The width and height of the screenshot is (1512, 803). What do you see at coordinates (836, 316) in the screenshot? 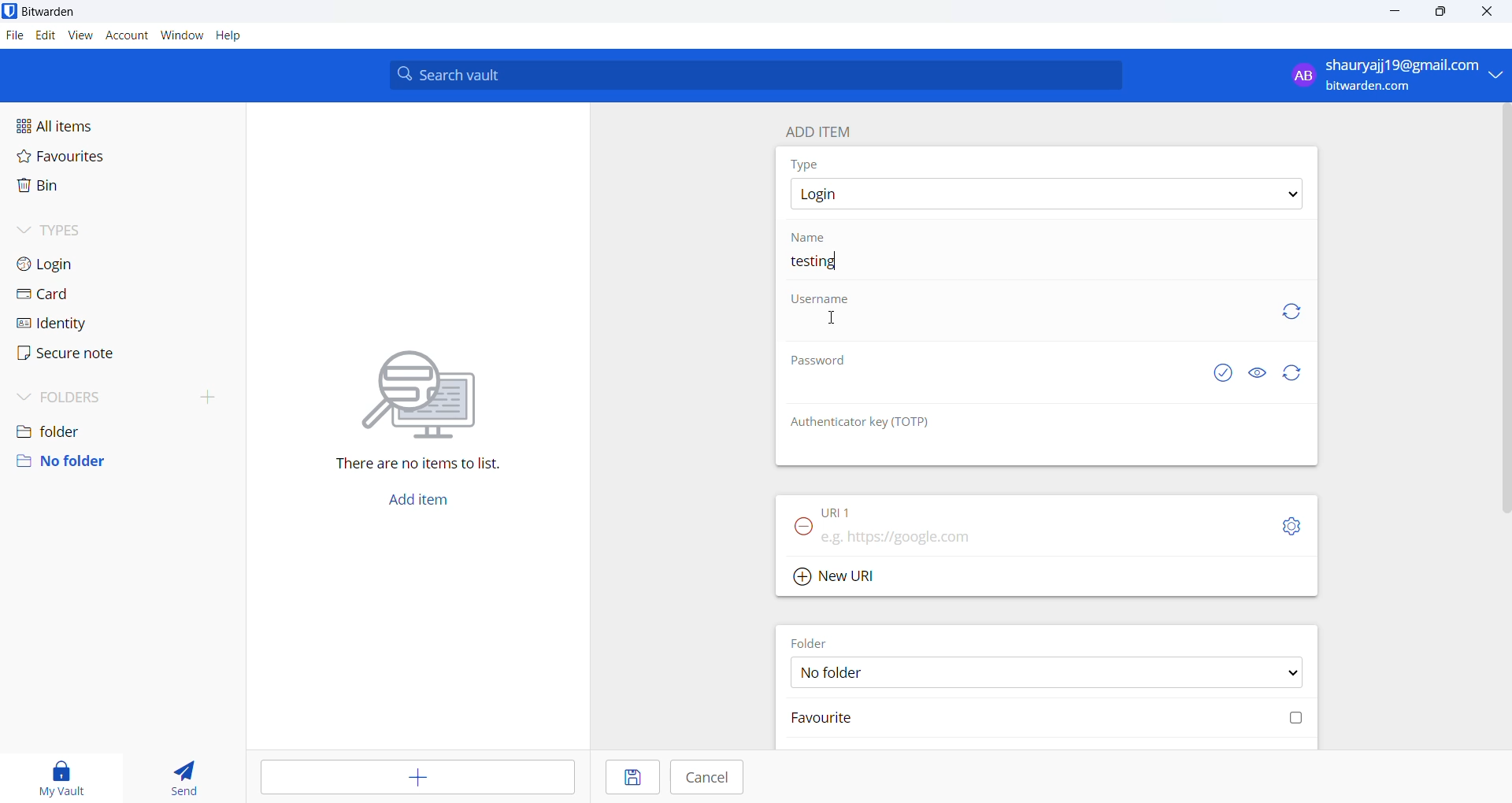
I see `cursor` at bounding box center [836, 316].